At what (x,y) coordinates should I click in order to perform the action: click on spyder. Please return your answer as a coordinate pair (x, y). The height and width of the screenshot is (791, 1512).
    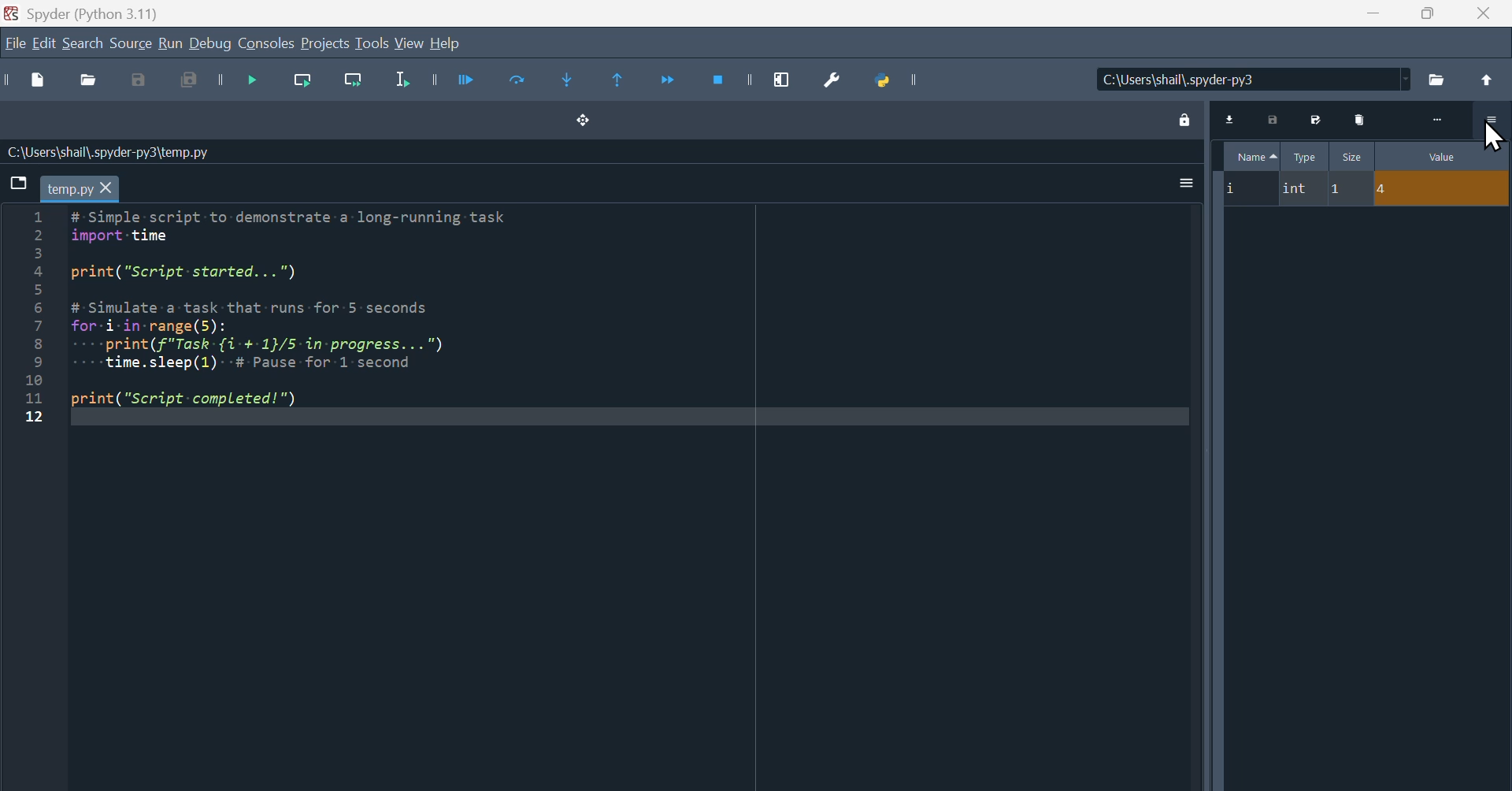
    Looking at the image, I should click on (83, 13).